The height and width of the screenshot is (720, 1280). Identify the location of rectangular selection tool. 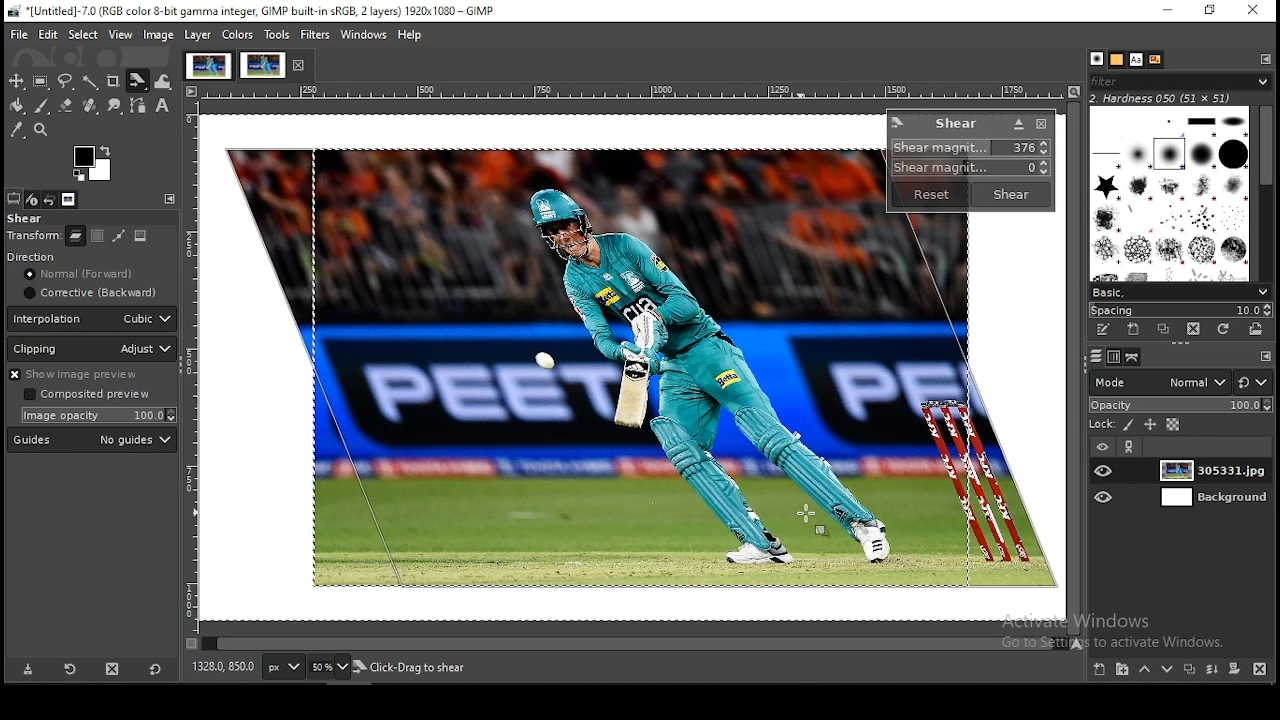
(41, 82).